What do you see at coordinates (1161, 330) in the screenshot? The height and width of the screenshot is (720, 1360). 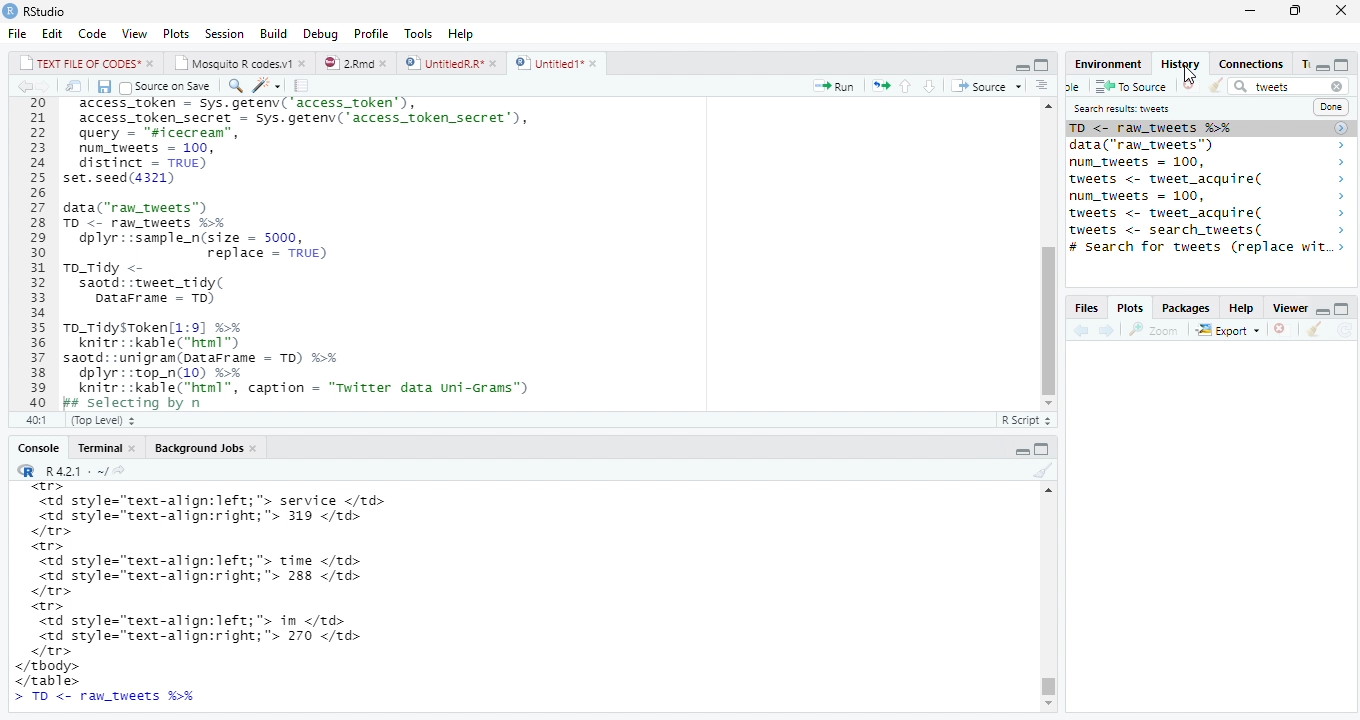 I see `Zoom ` at bounding box center [1161, 330].